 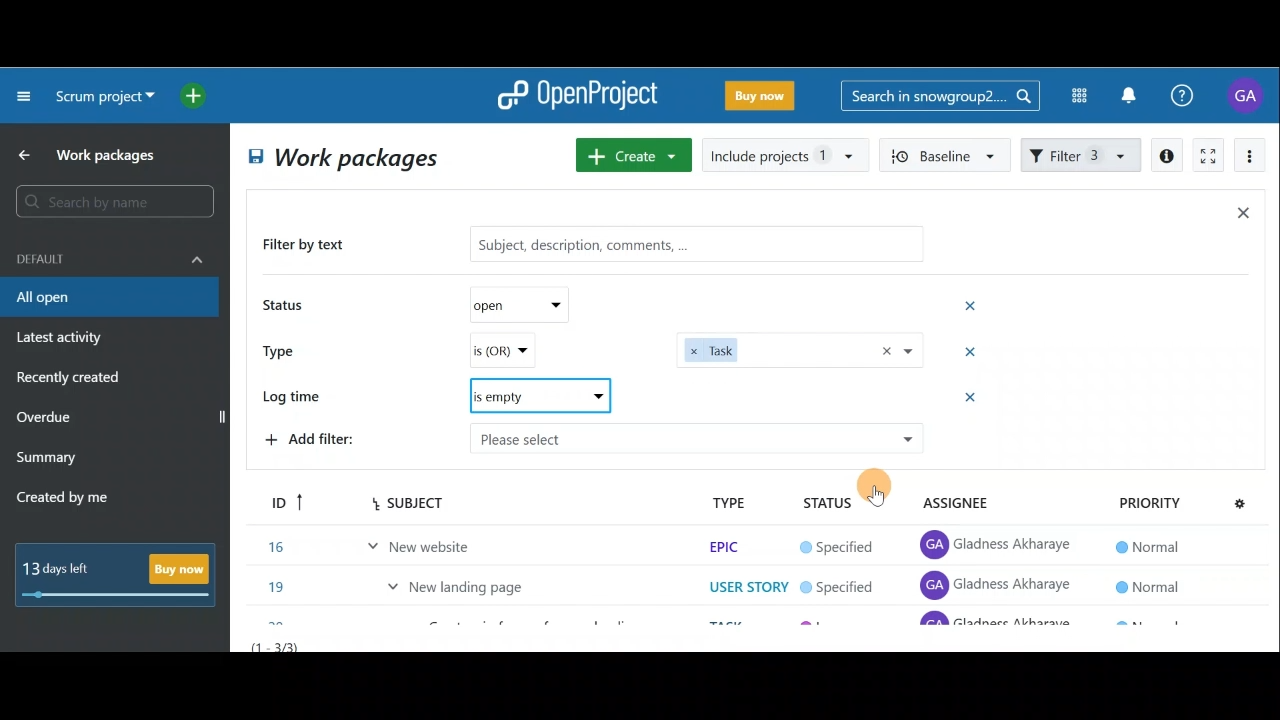 I want to click on normal, so click(x=1145, y=501).